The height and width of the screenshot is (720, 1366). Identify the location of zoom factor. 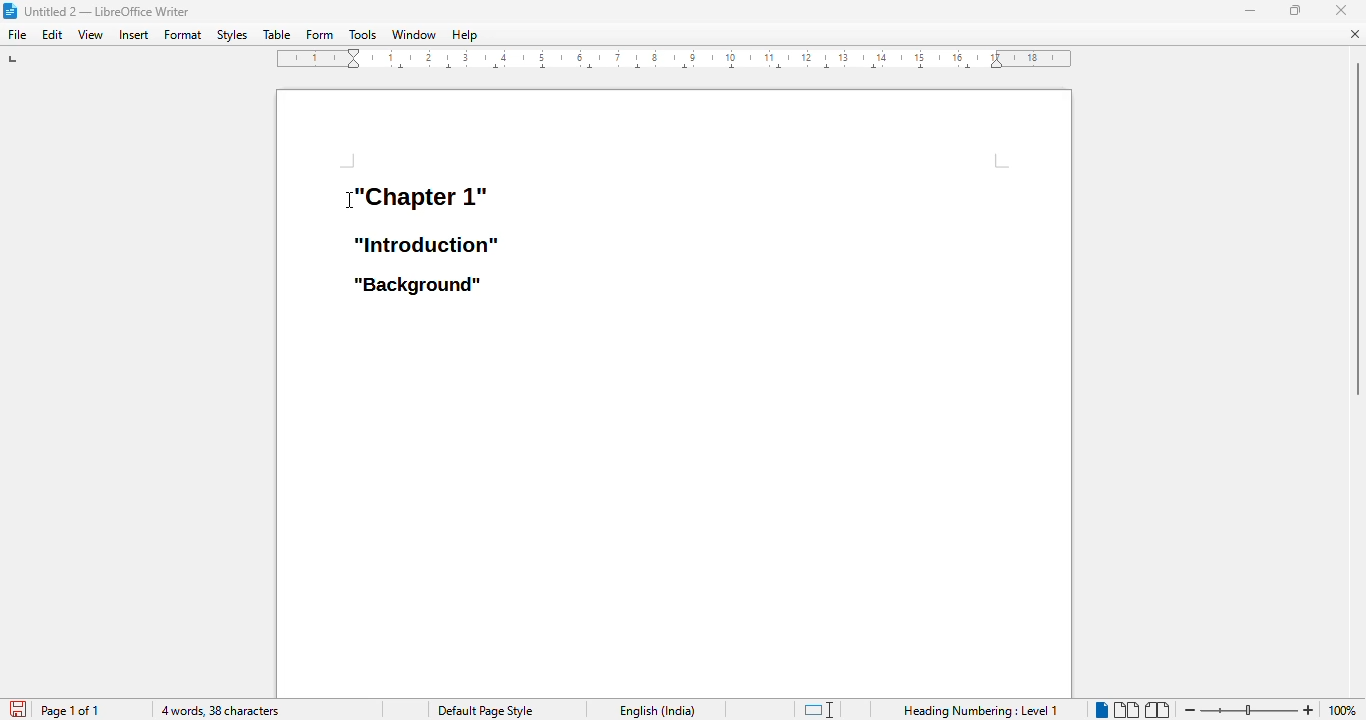
(1344, 711).